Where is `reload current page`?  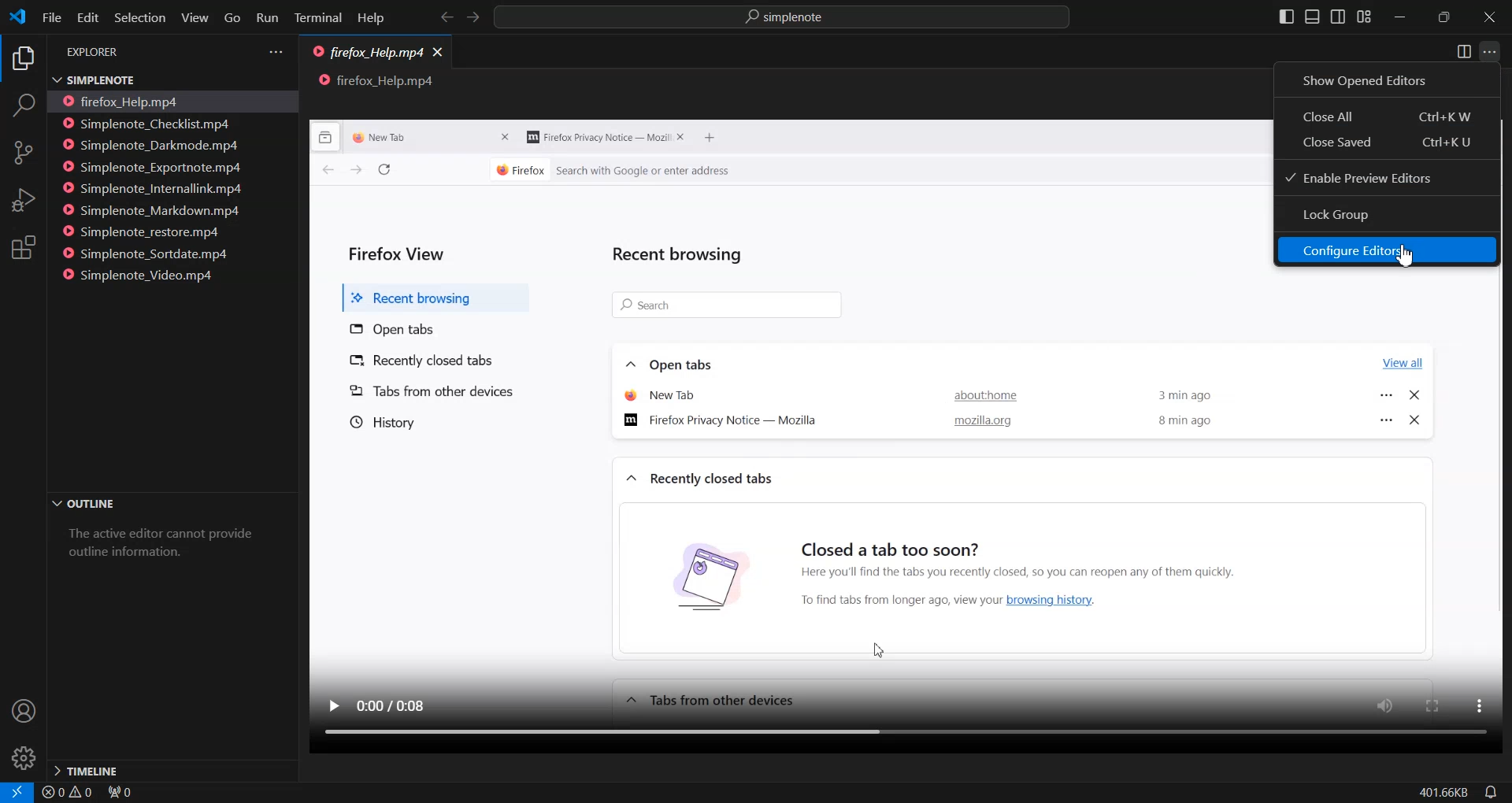
reload current page is located at coordinates (384, 170).